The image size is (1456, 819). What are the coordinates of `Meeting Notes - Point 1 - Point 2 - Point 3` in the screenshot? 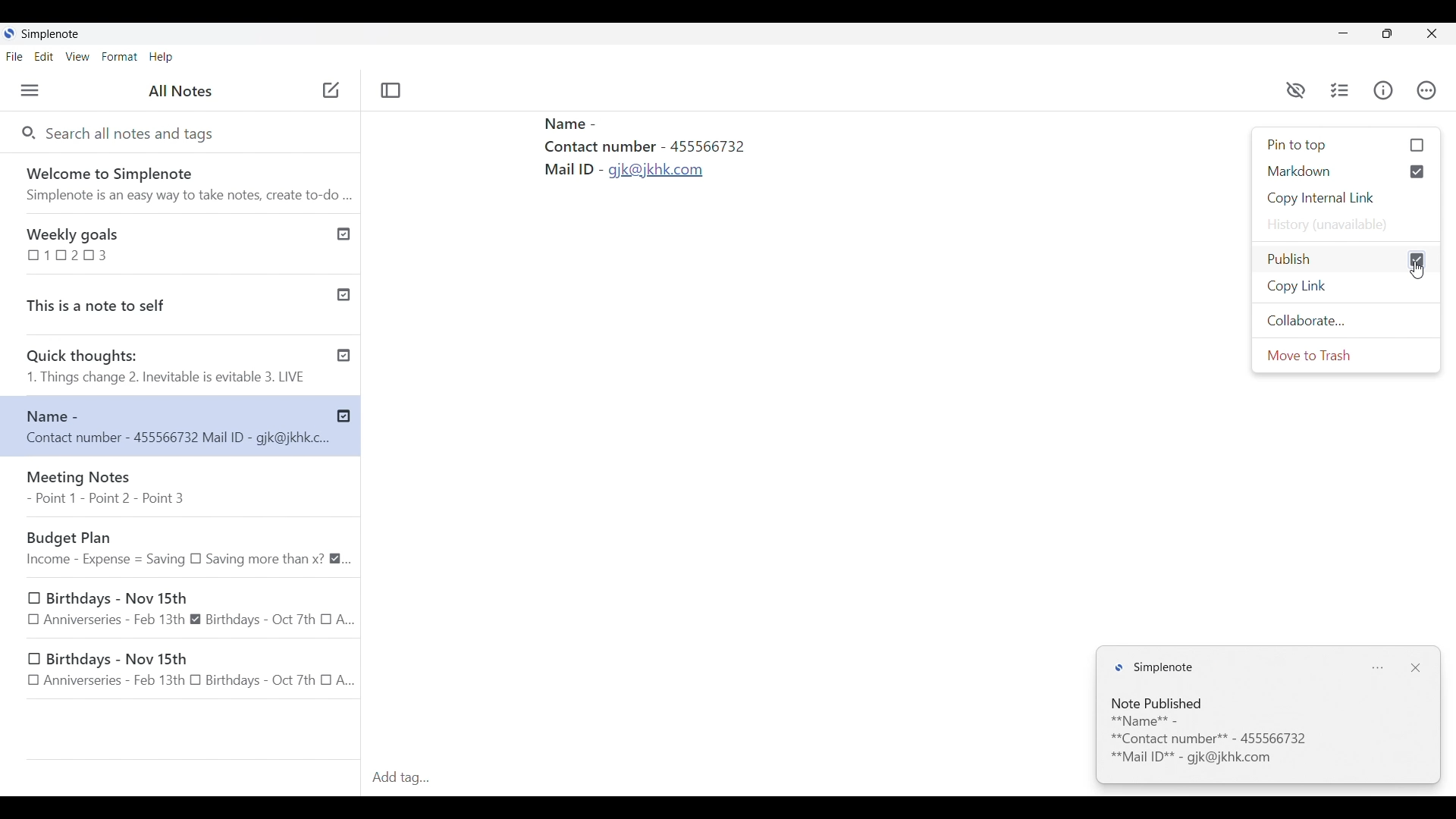 It's located at (183, 488).